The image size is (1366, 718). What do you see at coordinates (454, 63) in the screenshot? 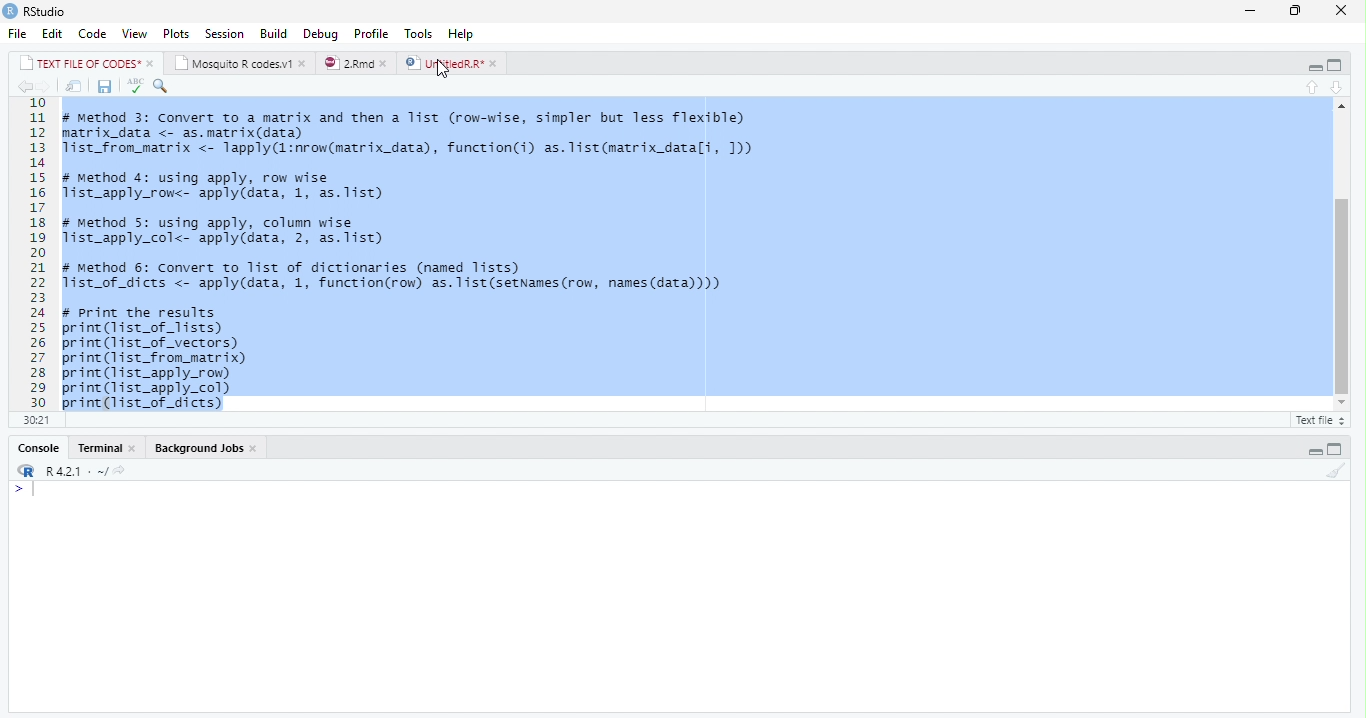
I see `UntitiedR.R*` at bounding box center [454, 63].